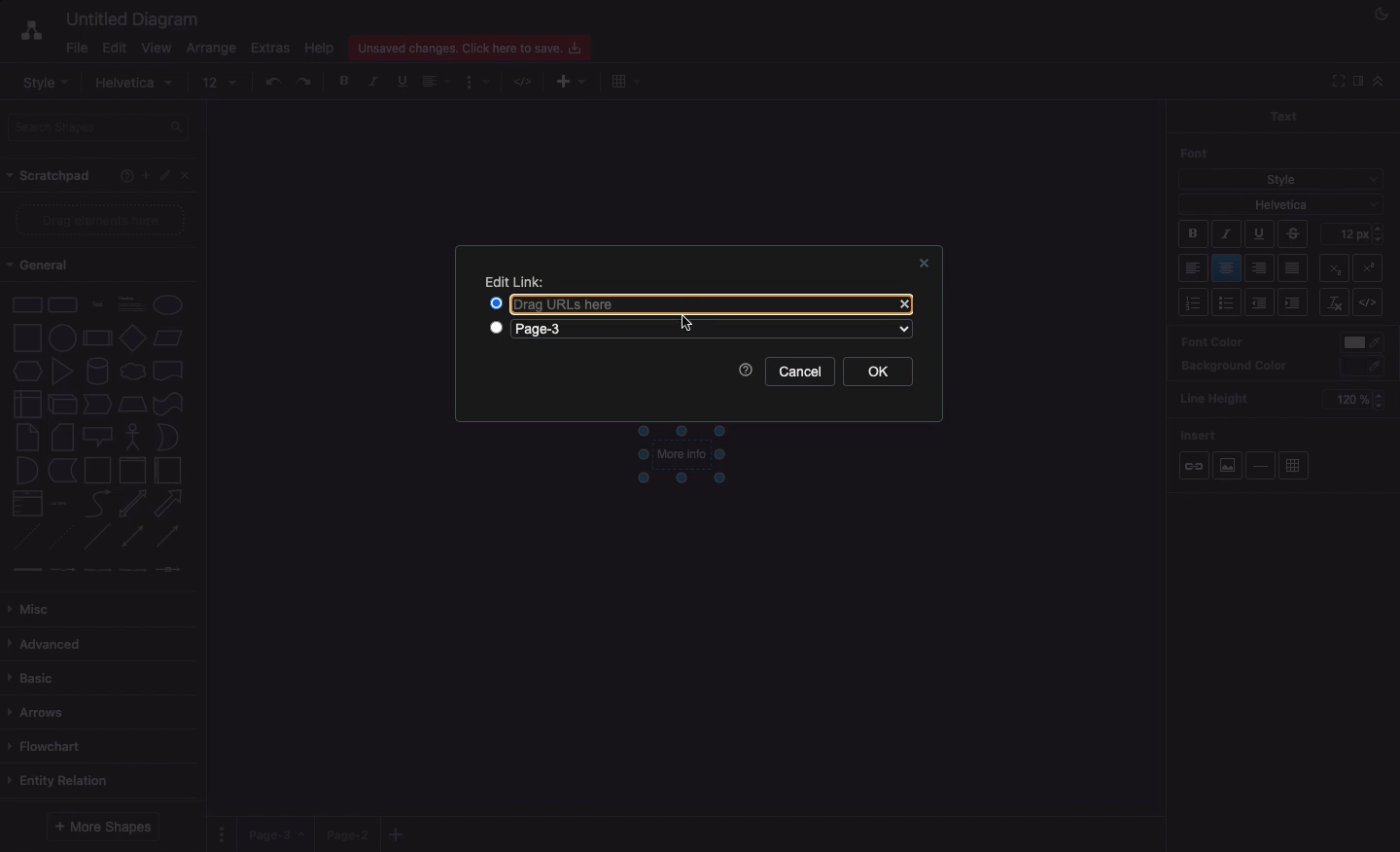 Image resolution: width=1400 pixels, height=852 pixels. What do you see at coordinates (131, 504) in the screenshot?
I see `bidirectional arrow` at bounding box center [131, 504].